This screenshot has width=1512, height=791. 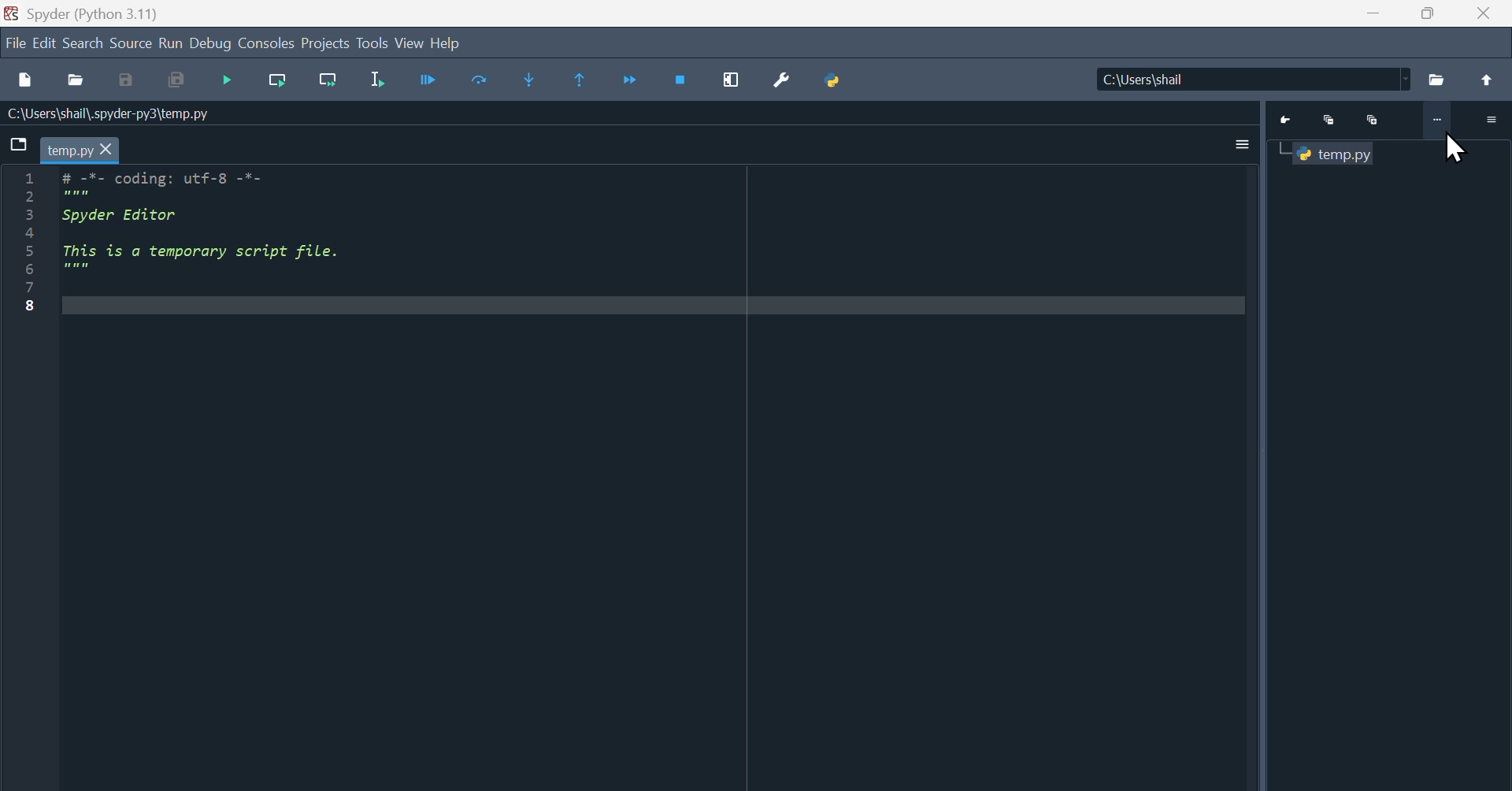 What do you see at coordinates (372, 43) in the screenshot?
I see `Tools` at bounding box center [372, 43].